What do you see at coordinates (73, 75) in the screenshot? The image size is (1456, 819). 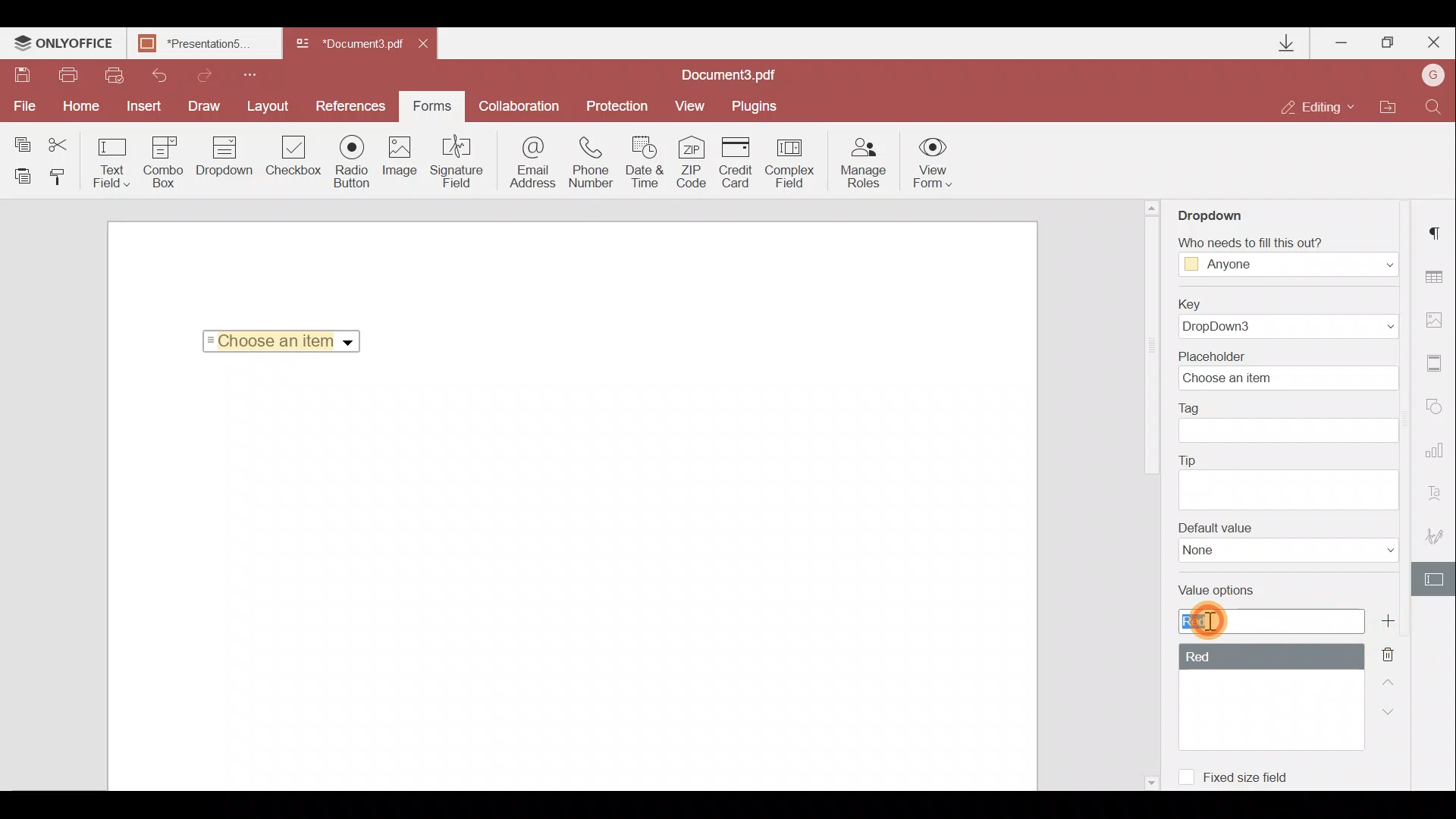 I see `Print file` at bounding box center [73, 75].